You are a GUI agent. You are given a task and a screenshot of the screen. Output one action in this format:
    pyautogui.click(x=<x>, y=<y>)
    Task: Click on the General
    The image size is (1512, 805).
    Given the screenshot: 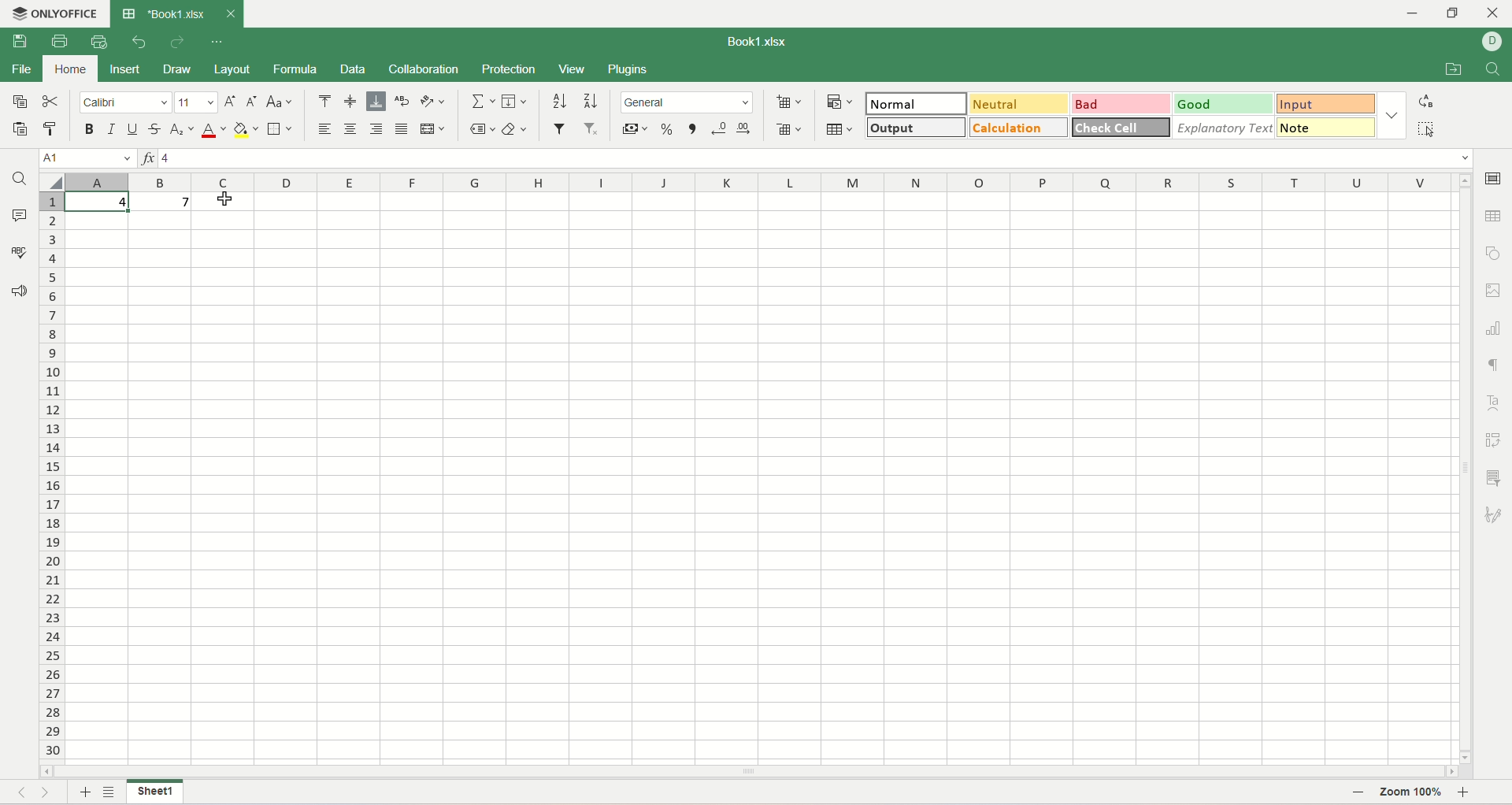 What is the action you would take?
    pyautogui.click(x=687, y=102)
    